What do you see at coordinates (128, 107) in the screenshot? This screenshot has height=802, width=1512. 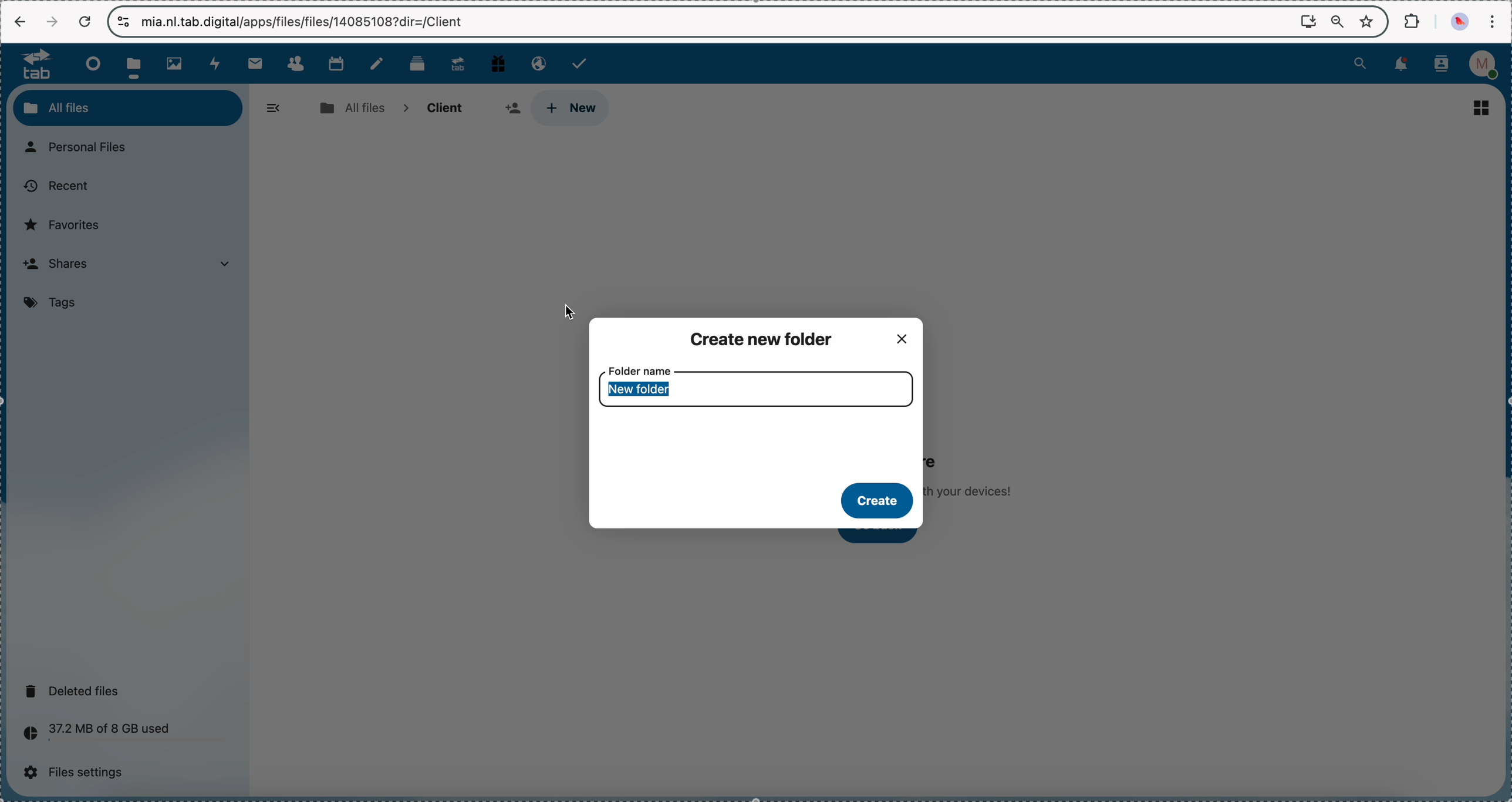 I see `all files` at bounding box center [128, 107].